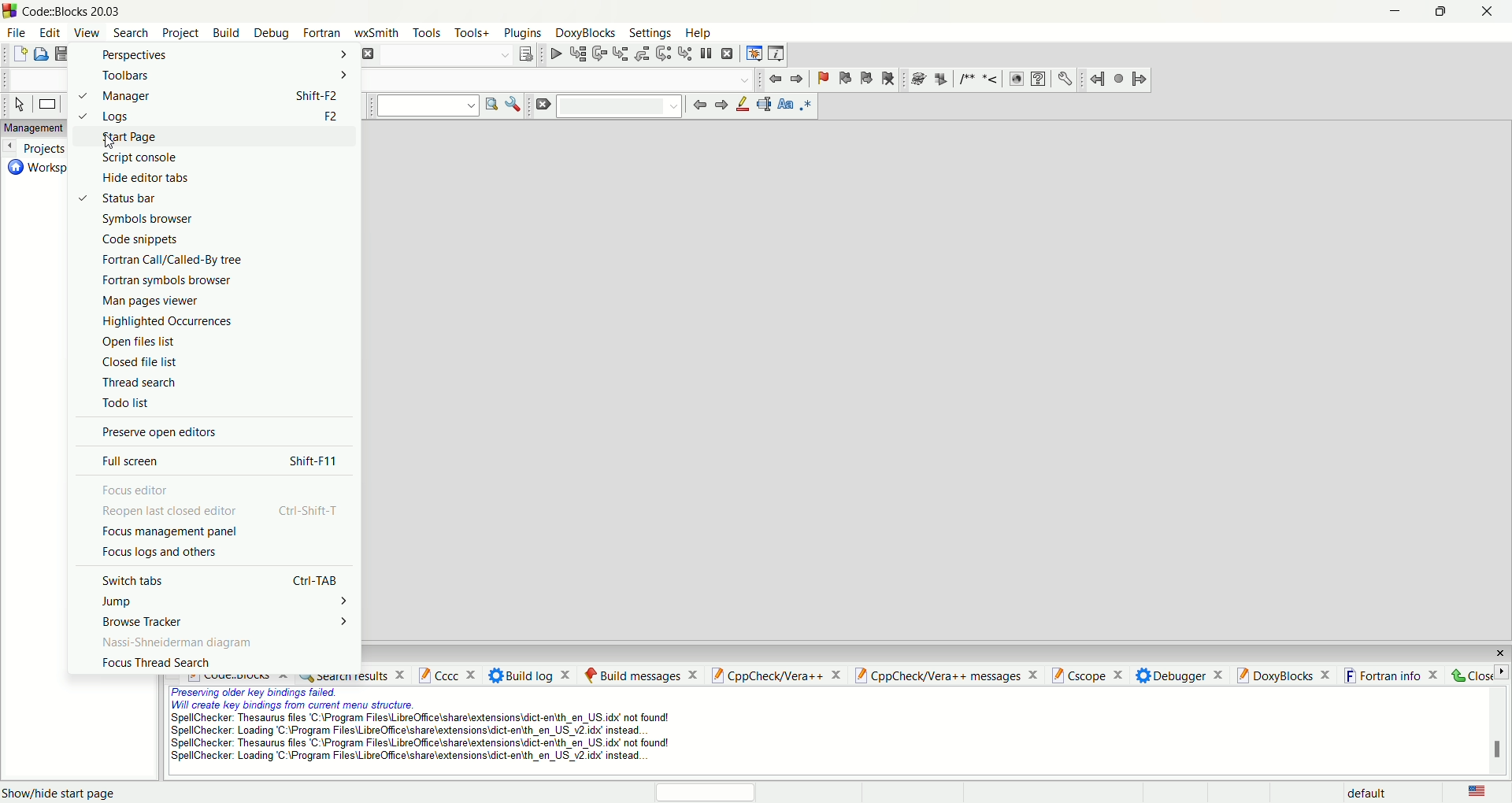 The height and width of the screenshot is (803, 1512). Describe the element at coordinates (1478, 793) in the screenshot. I see `language` at that location.